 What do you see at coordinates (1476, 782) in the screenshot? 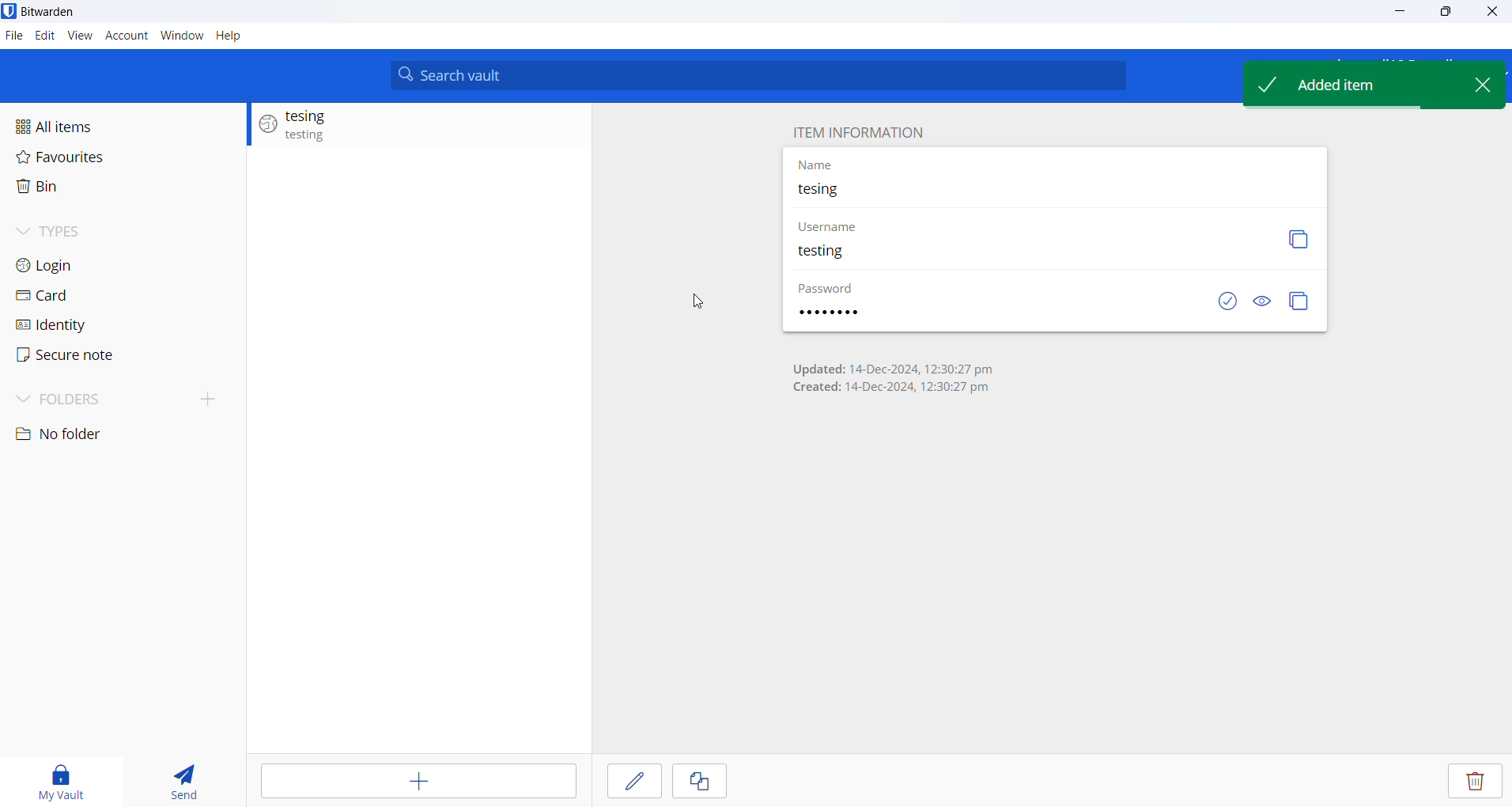
I see `delete` at bounding box center [1476, 782].